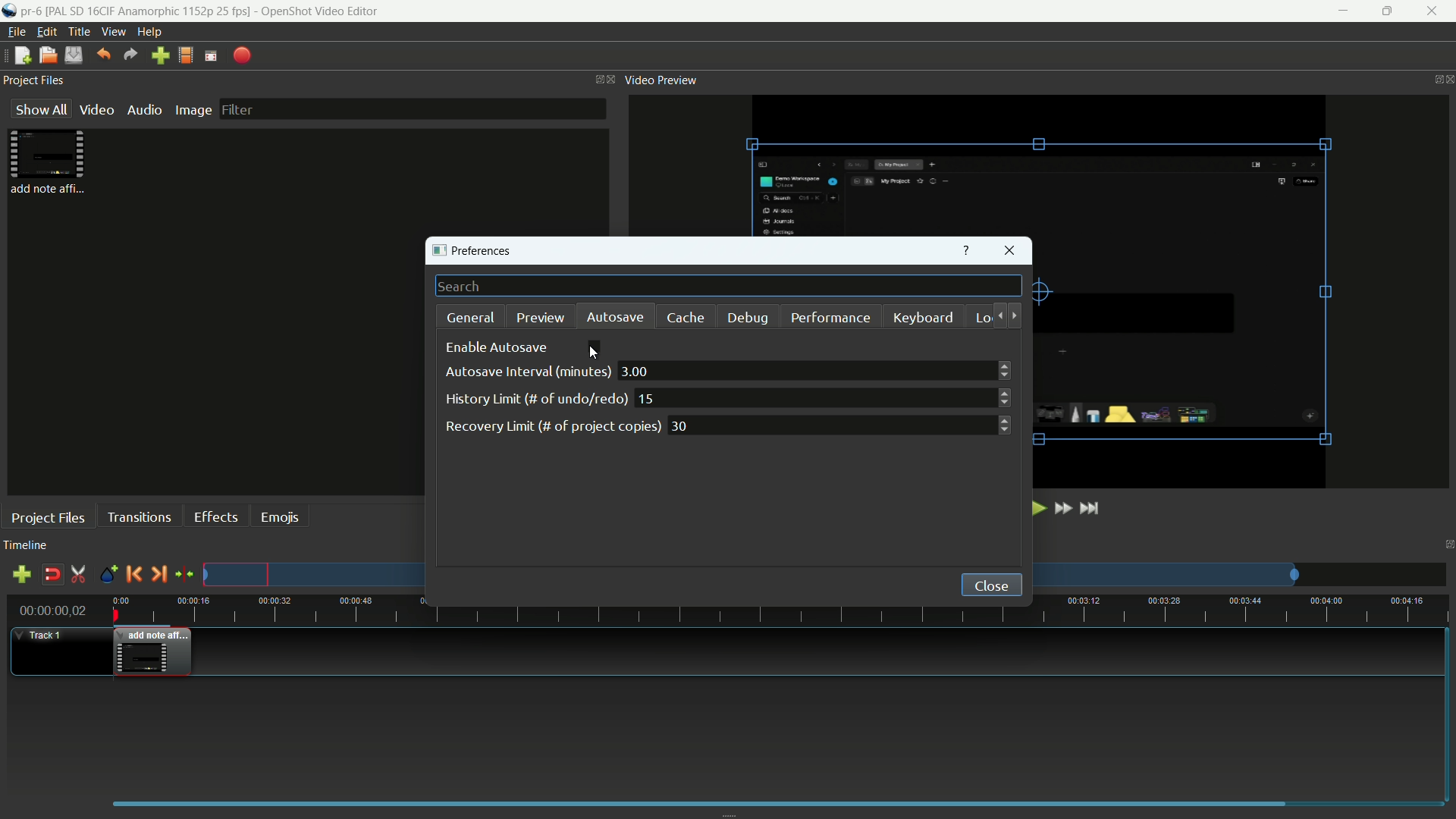 This screenshot has width=1456, height=819. What do you see at coordinates (830, 318) in the screenshot?
I see `performance` at bounding box center [830, 318].